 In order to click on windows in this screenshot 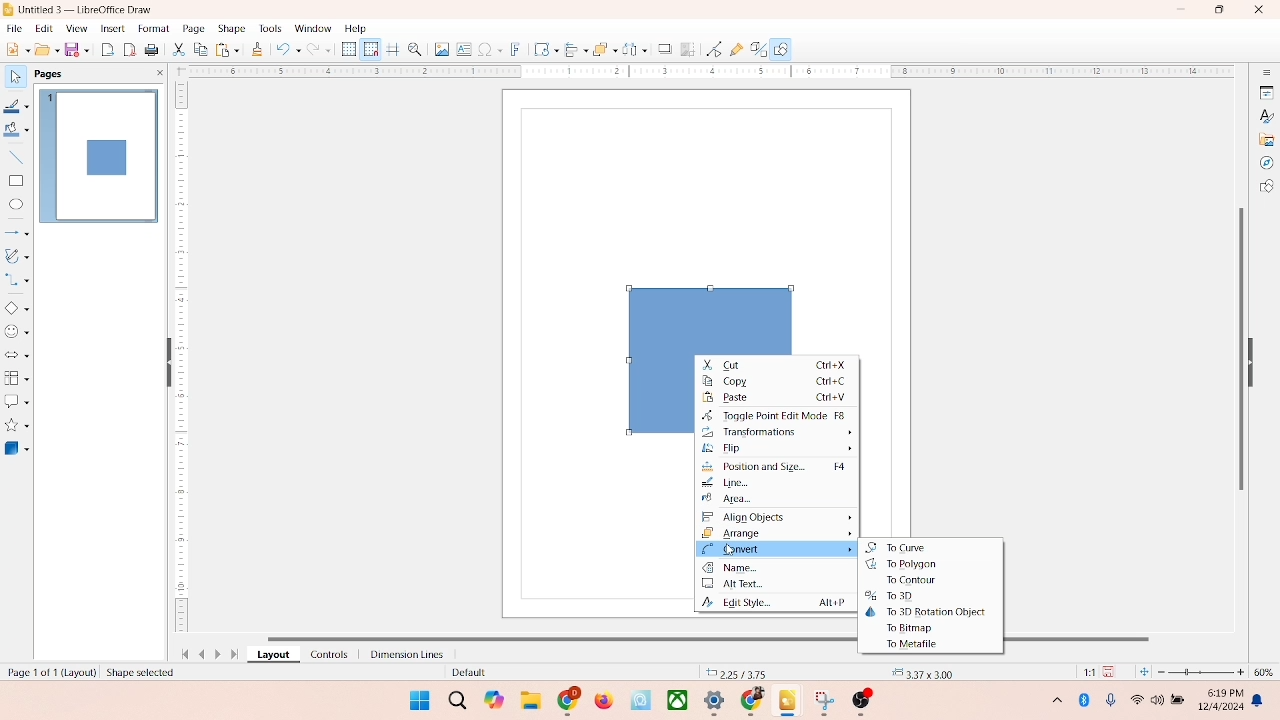, I will do `click(417, 700)`.